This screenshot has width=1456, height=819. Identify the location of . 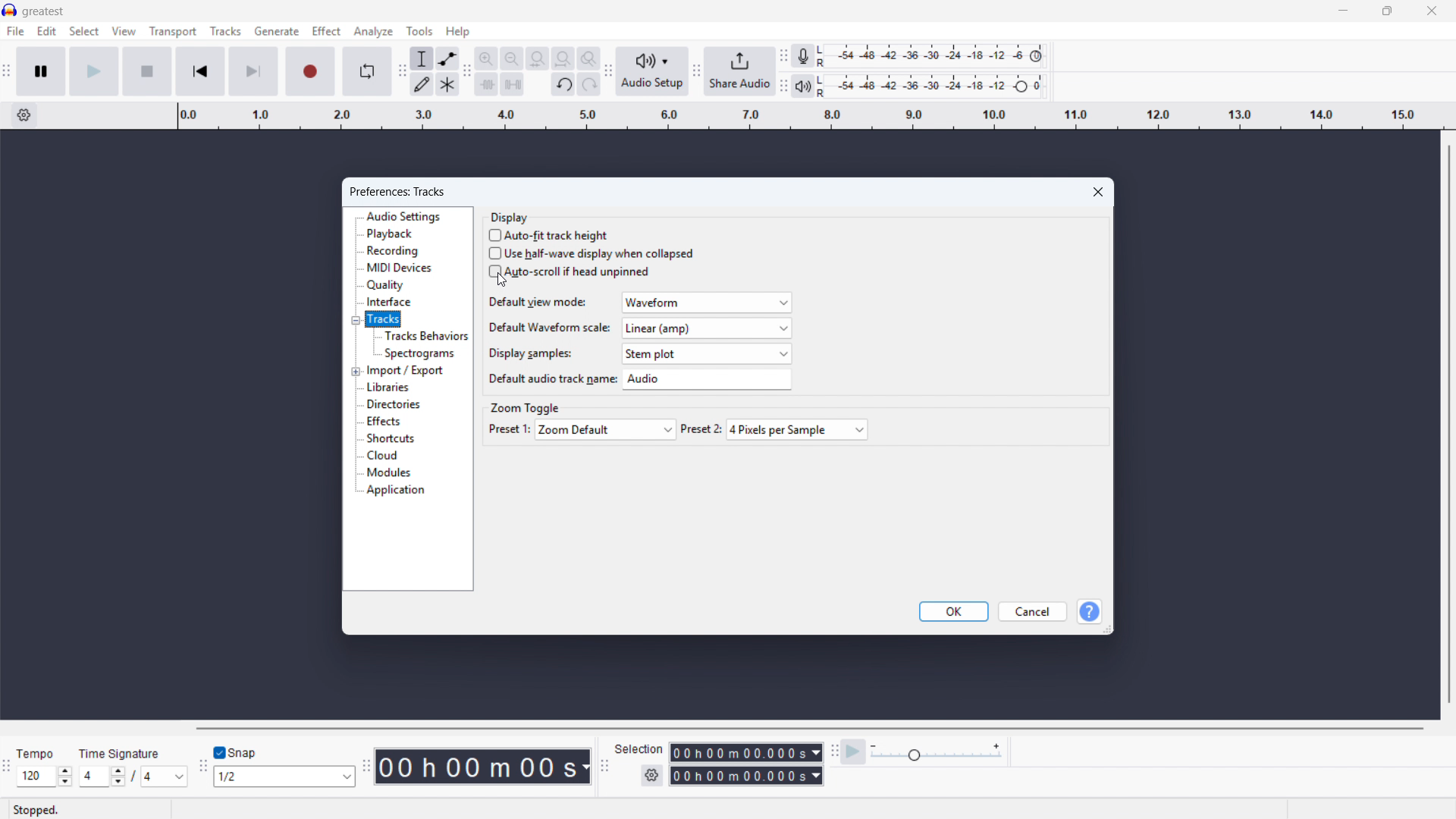
(14, 30).